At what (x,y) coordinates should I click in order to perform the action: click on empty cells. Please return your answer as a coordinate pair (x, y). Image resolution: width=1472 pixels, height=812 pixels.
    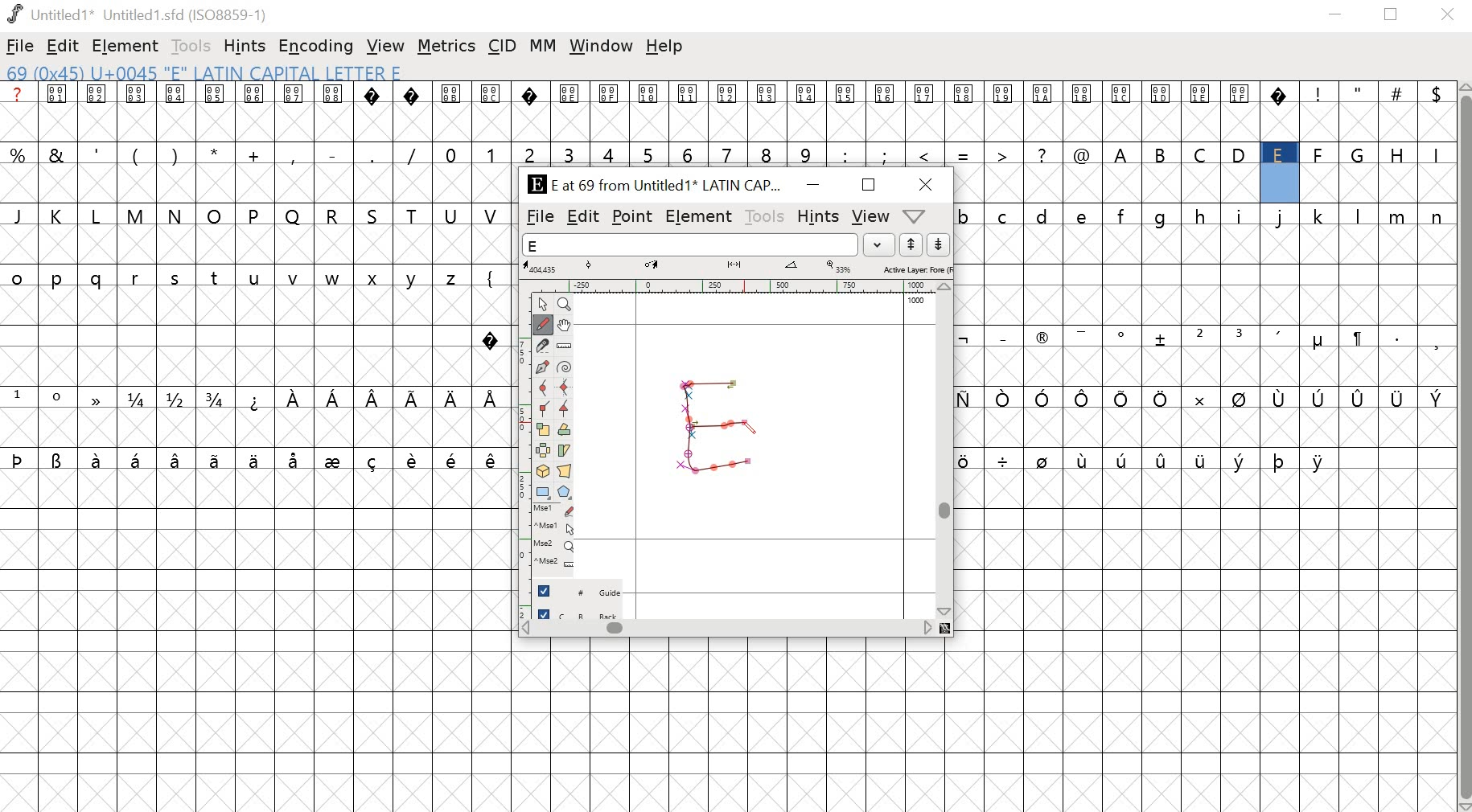
    Looking at the image, I should click on (255, 244).